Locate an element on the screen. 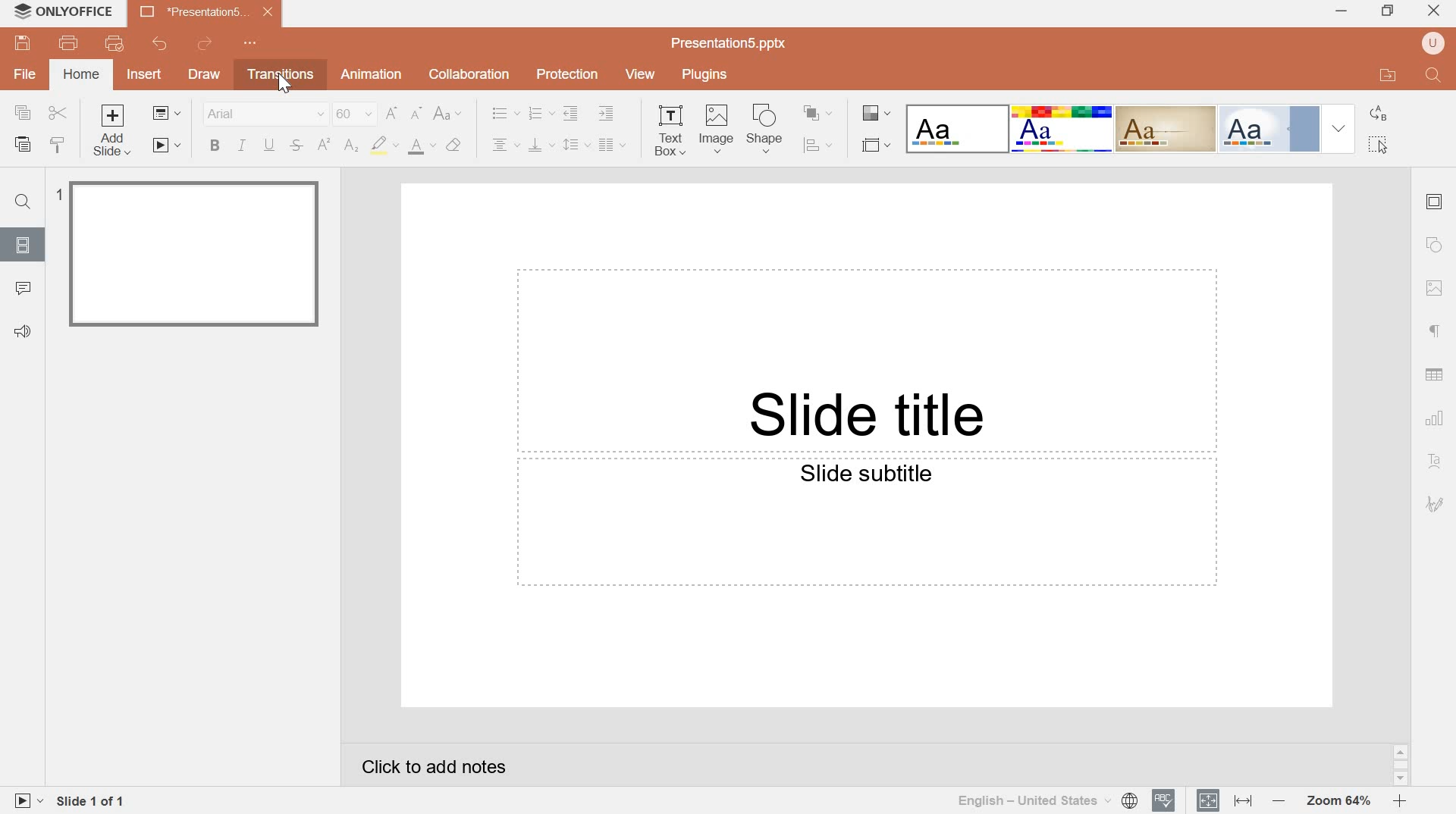 The image size is (1456, 814). clear style is located at coordinates (453, 146).